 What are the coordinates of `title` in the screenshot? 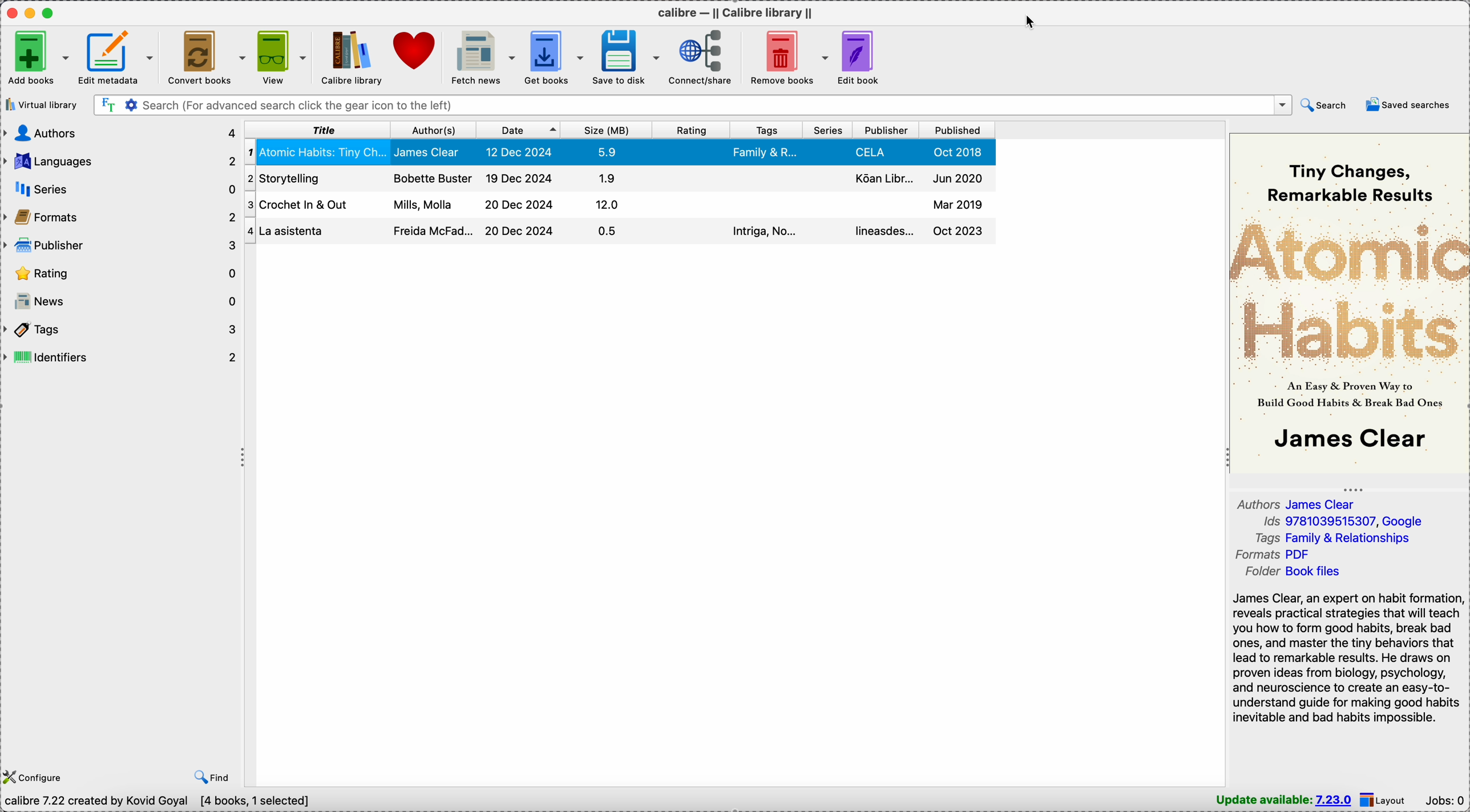 It's located at (318, 131).